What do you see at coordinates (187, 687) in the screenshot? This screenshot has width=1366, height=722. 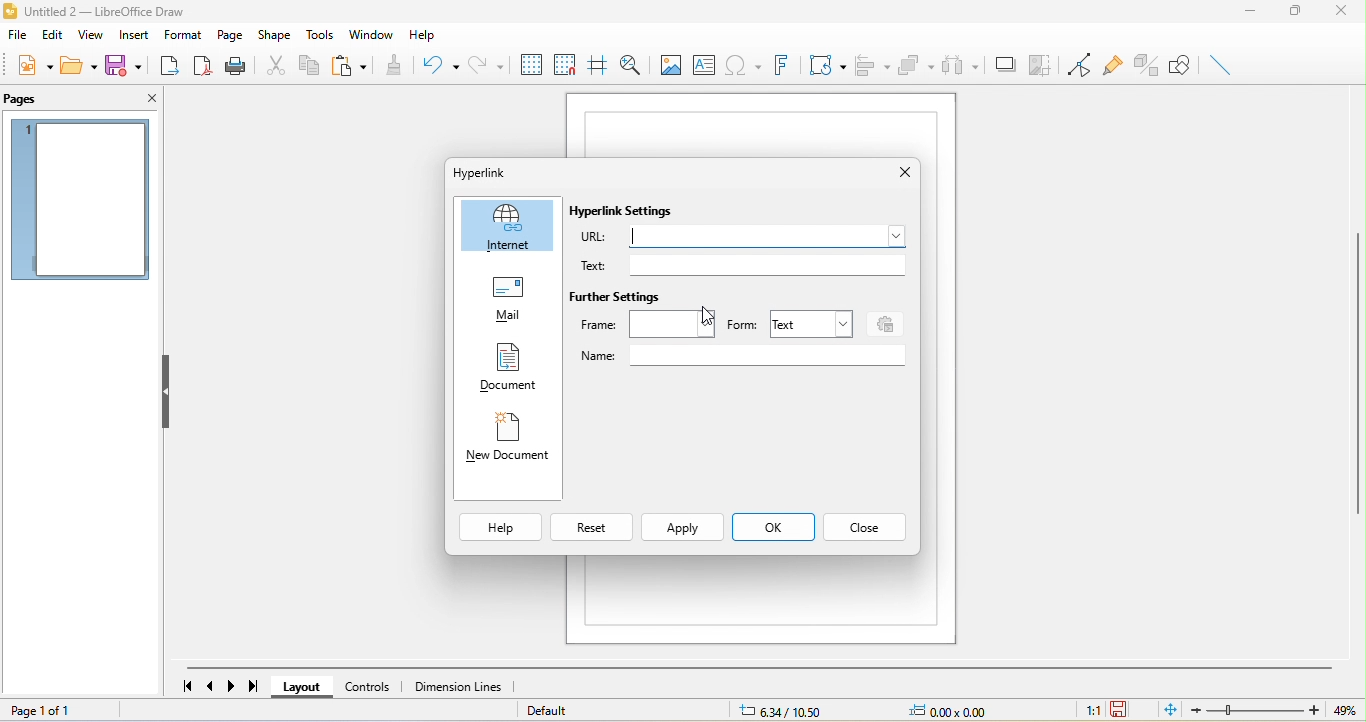 I see `first page` at bounding box center [187, 687].